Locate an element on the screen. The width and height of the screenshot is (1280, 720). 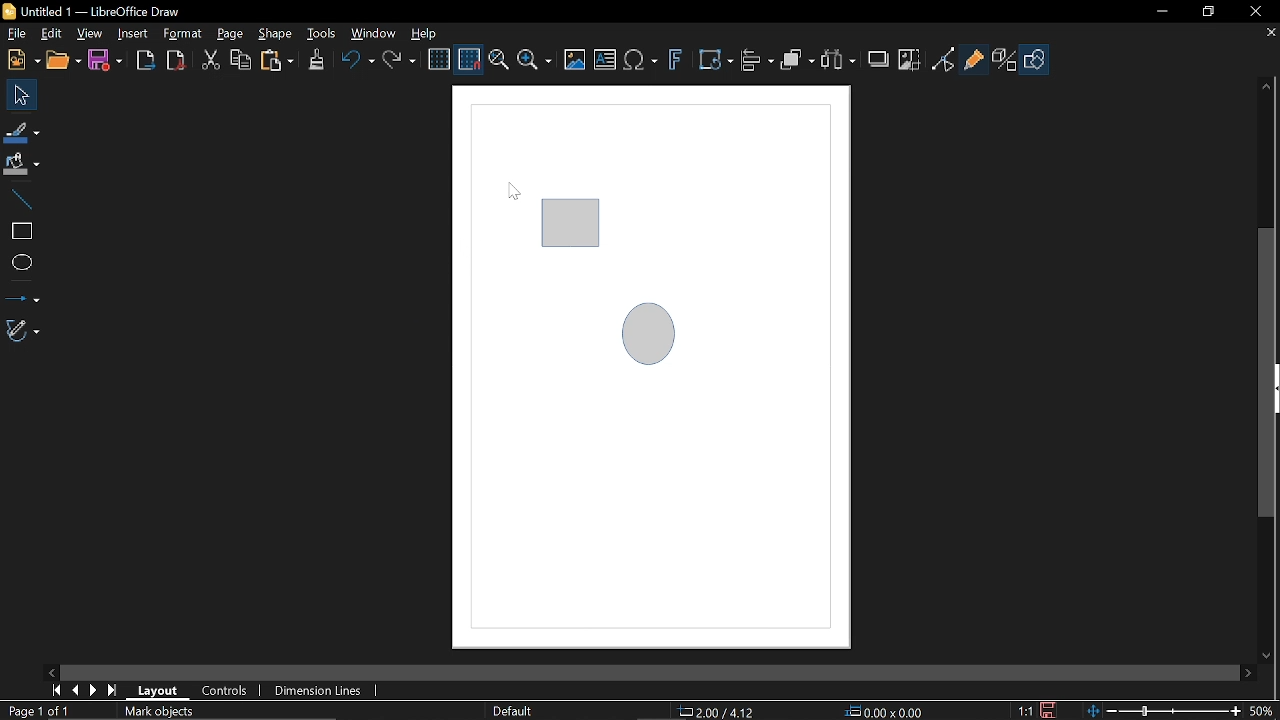
Layout is located at coordinates (157, 690).